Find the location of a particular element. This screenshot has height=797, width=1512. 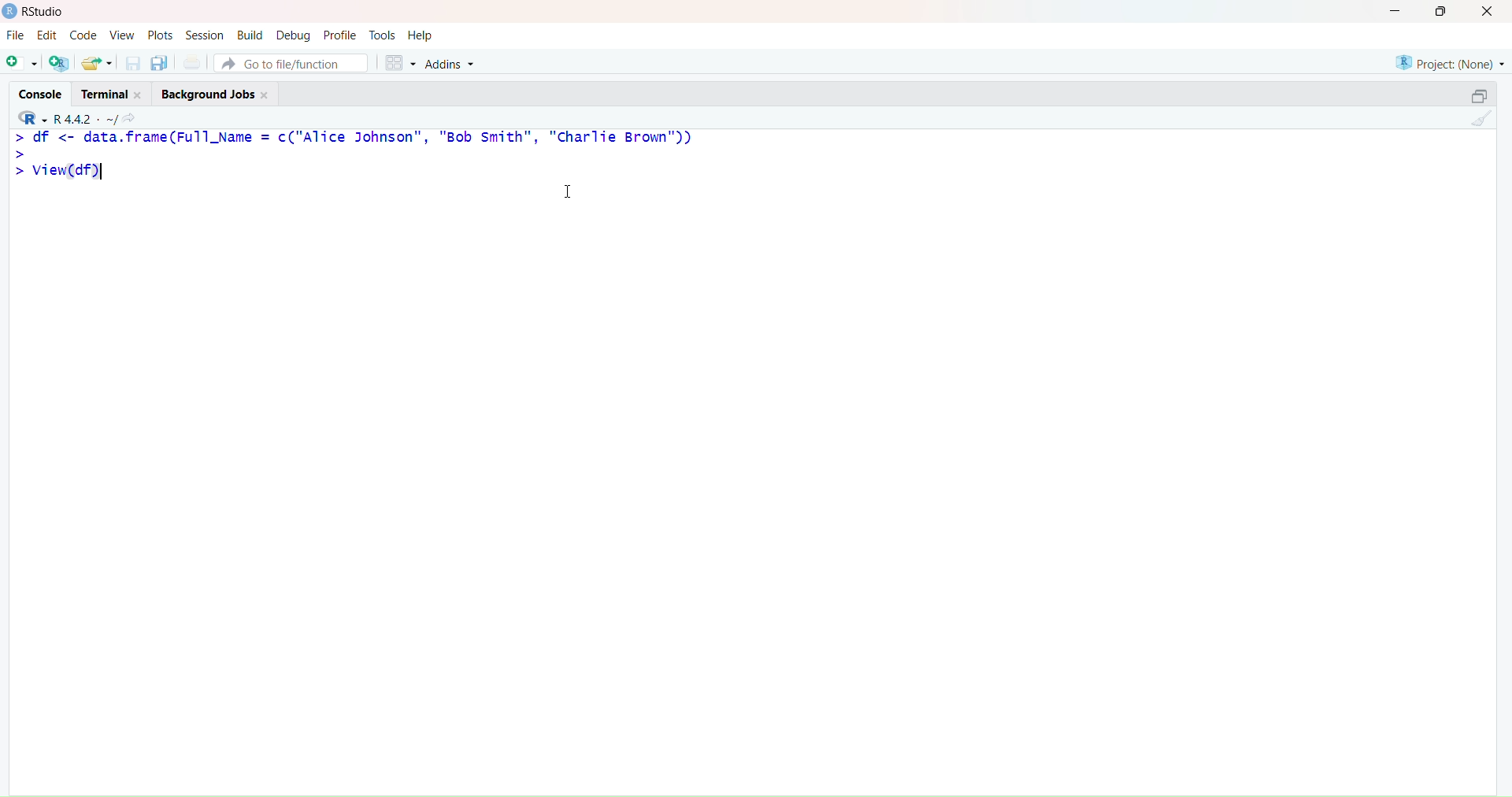

Edit is located at coordinates (46, 35).